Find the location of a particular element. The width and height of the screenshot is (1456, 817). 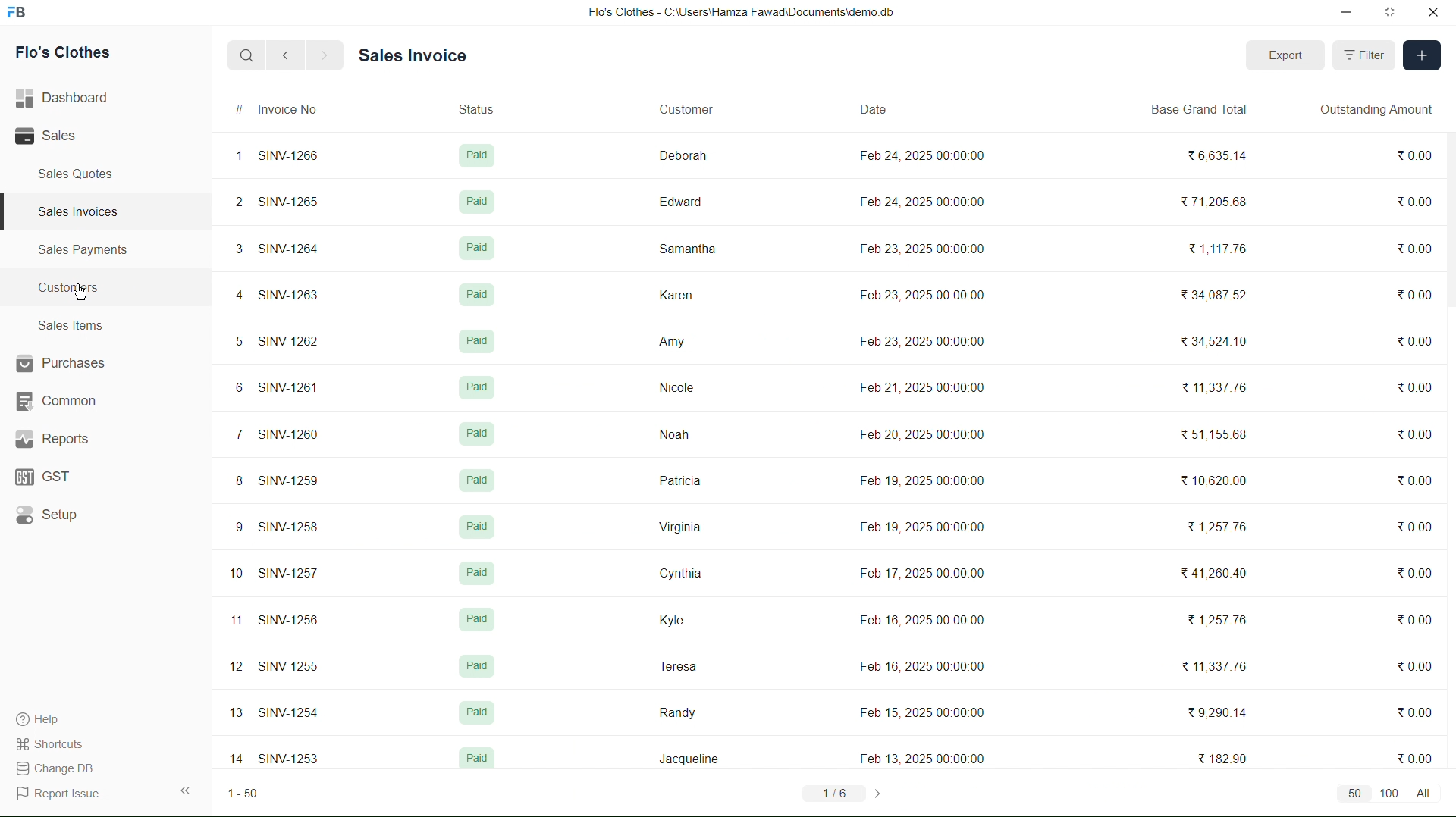

Expand is located at coordinates (187, 789).